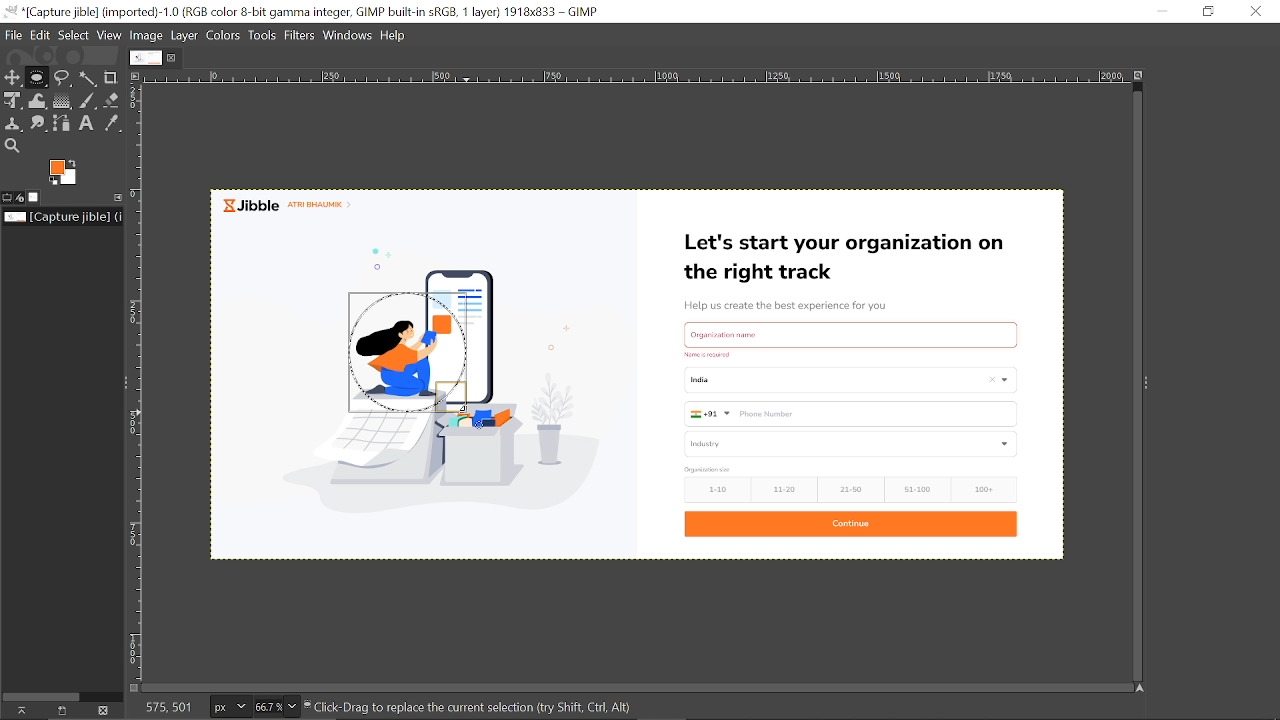 The height and width of the screenshot is (720, 1280). What do you see at coordinates (139, 77) in the screenshot?
I see `Access the image menu` at bounding box center [139, 77].